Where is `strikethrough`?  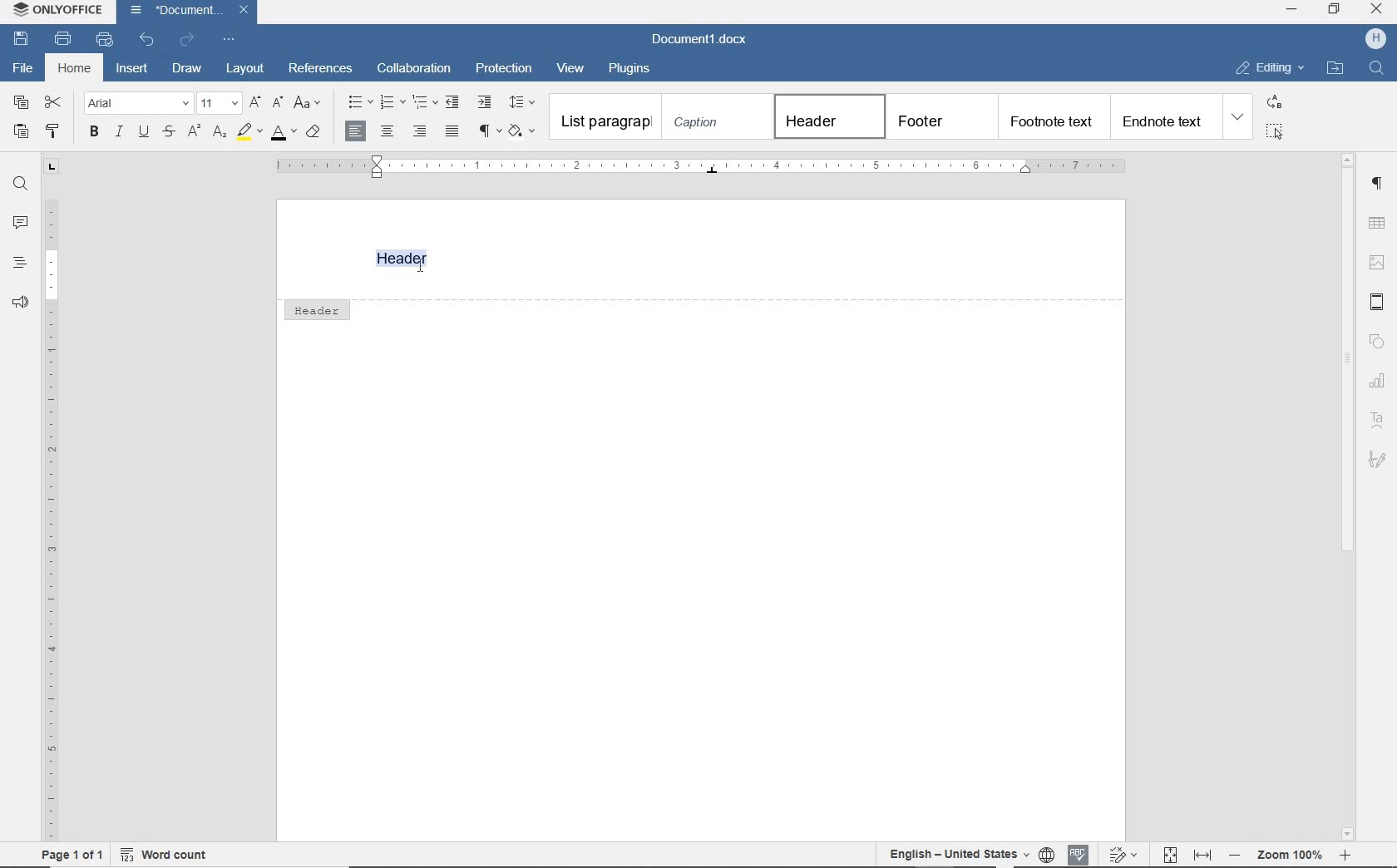 strikethrough is located at coordinates (170, 133).